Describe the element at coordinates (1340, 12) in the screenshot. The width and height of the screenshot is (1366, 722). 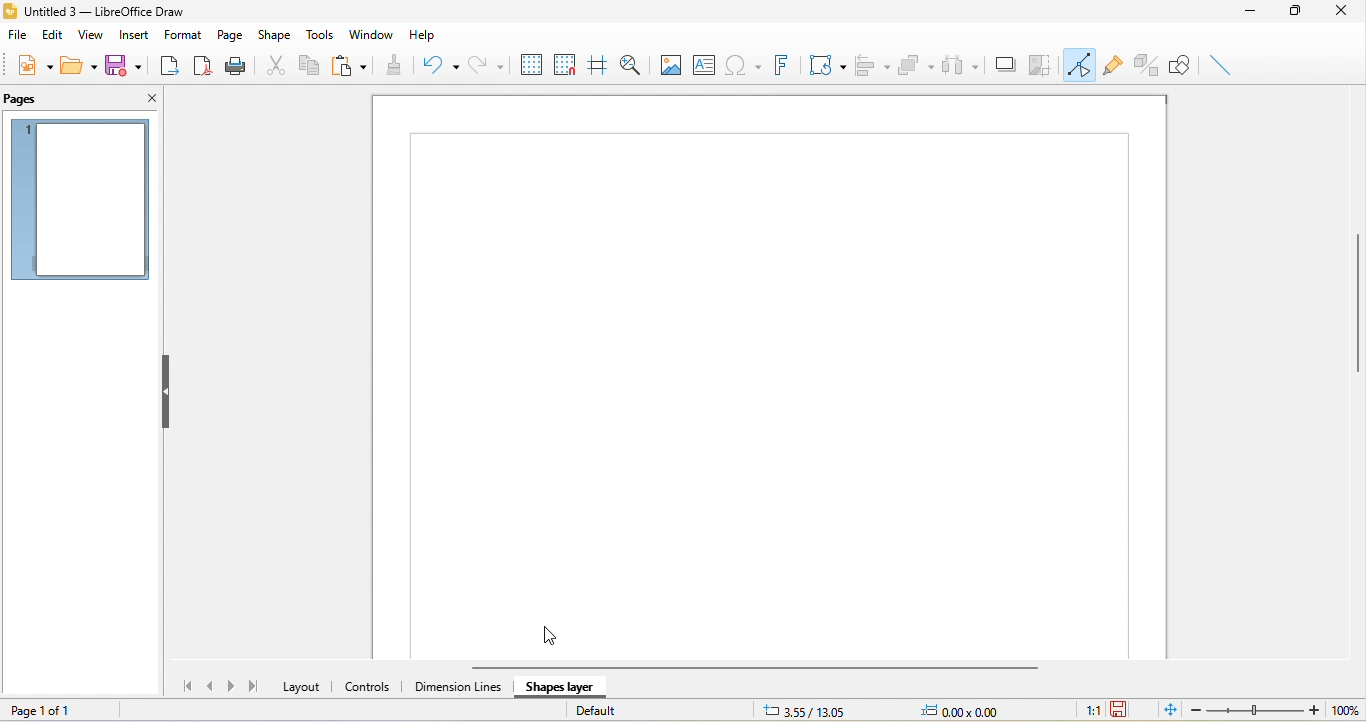
I see `close` at that location.